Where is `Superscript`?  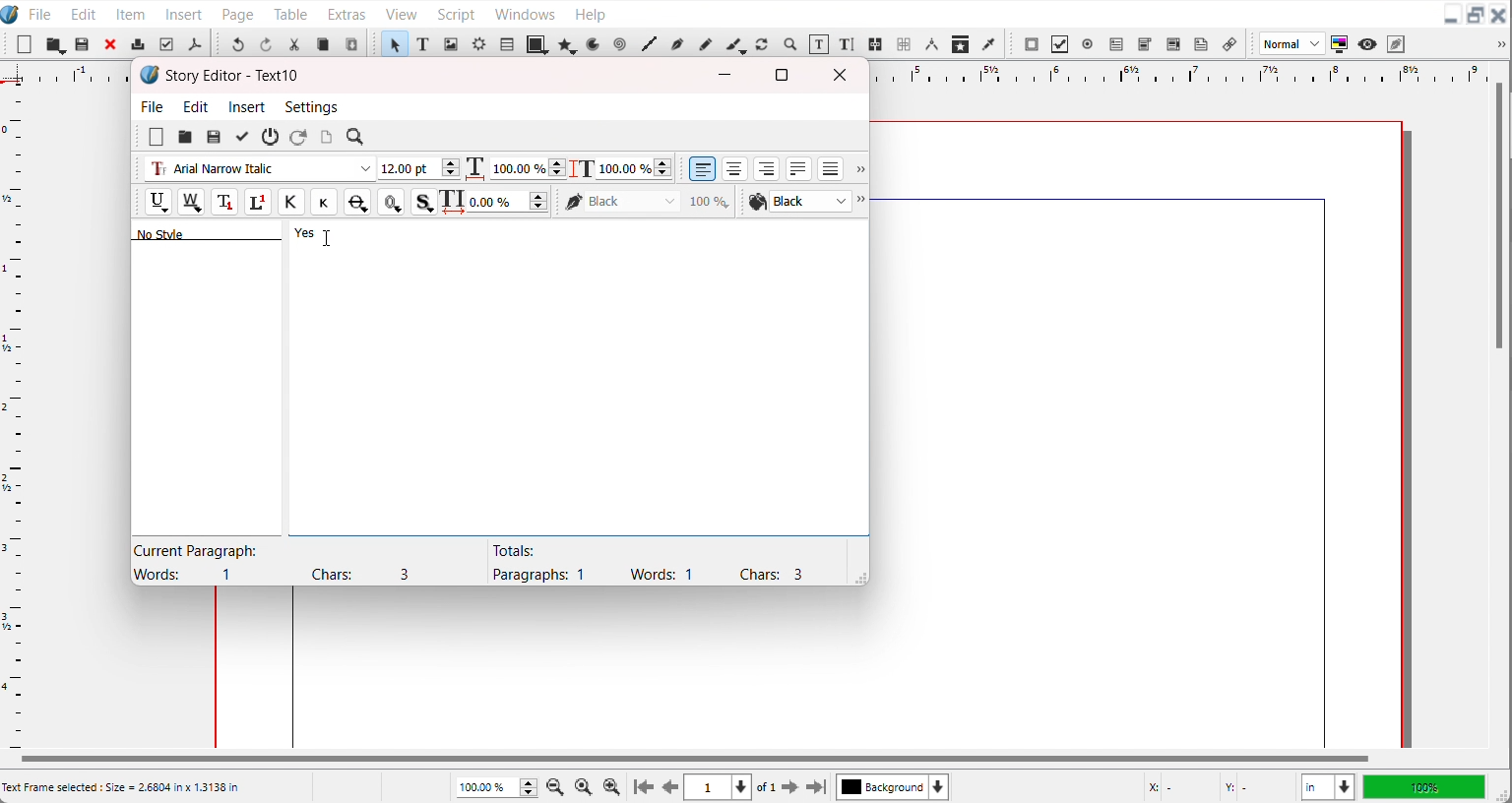
Superscript is located at coordinates (259, 203).